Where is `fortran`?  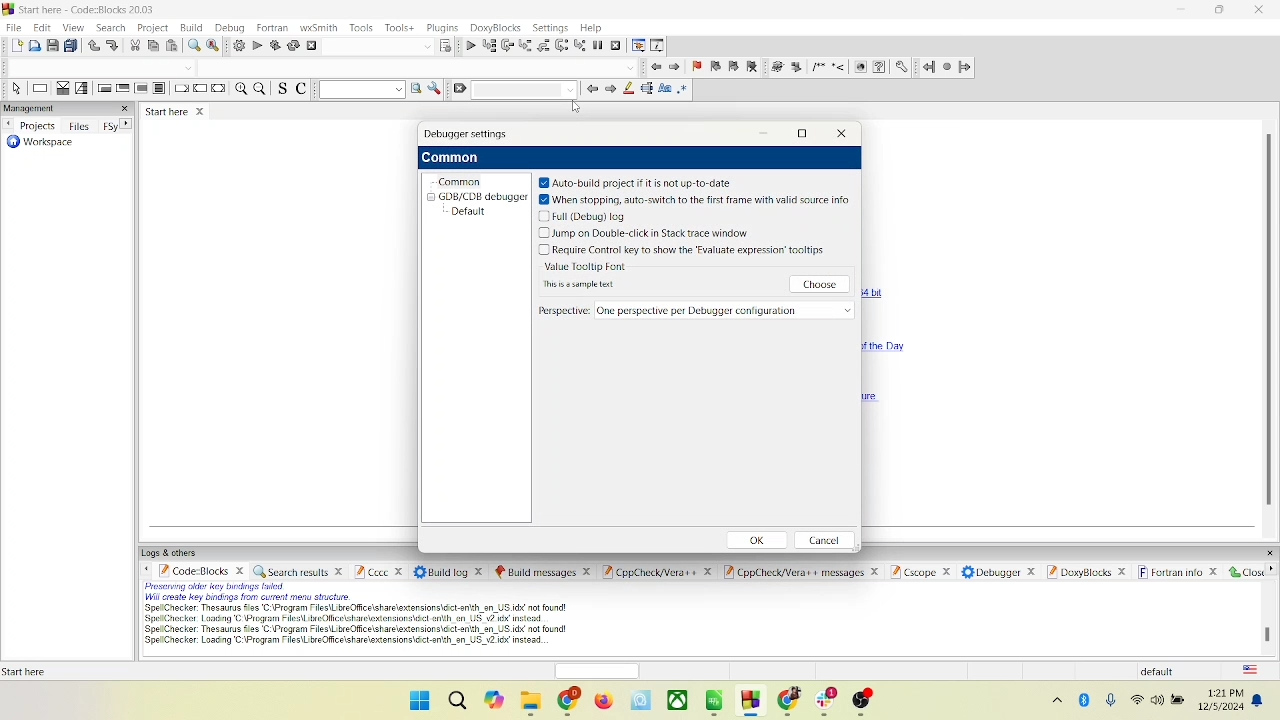
fortran is located at coordinates (274, 28).